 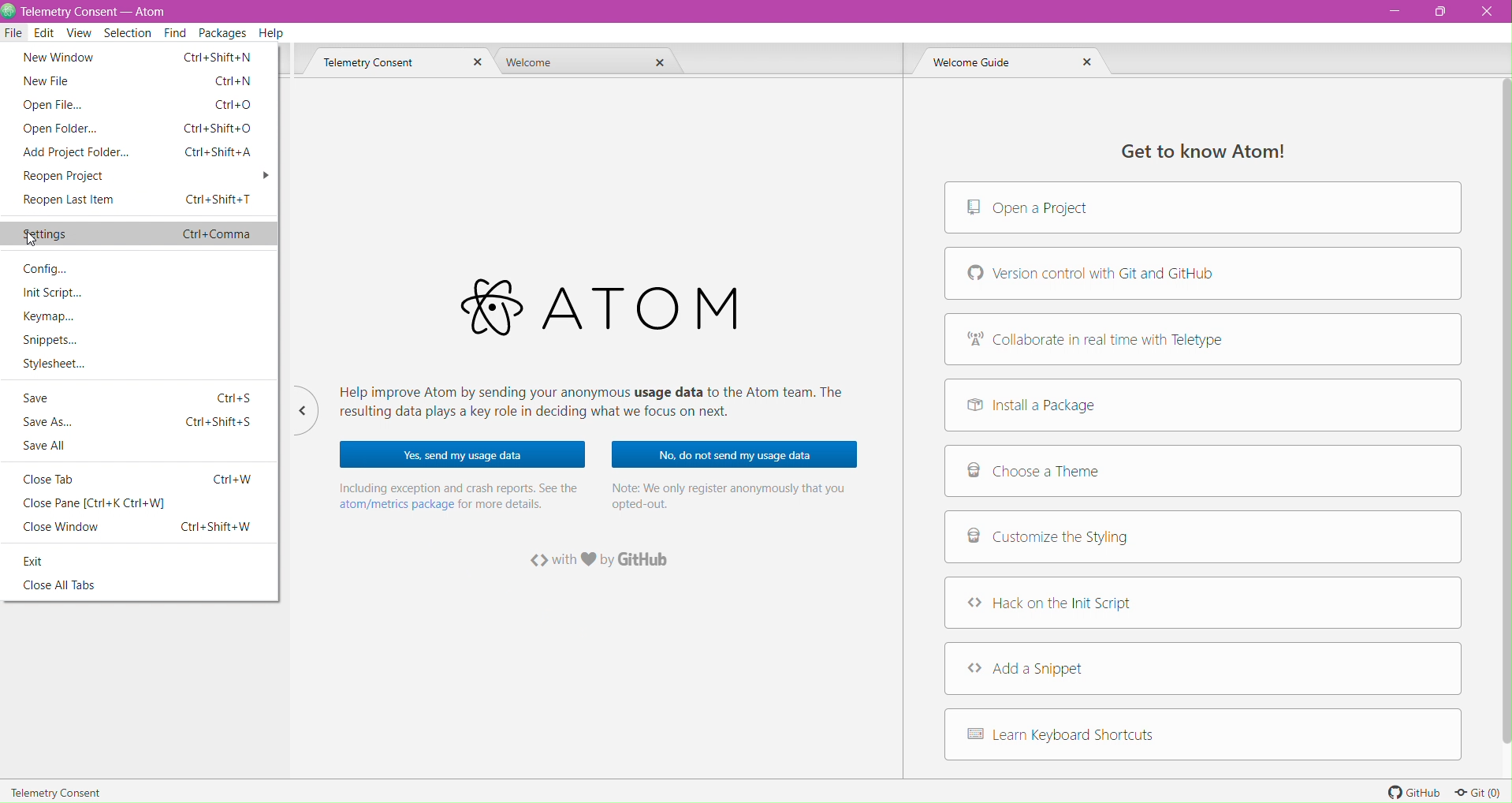 I want to click on Hide/Unhide, so click(x=300, y=409).